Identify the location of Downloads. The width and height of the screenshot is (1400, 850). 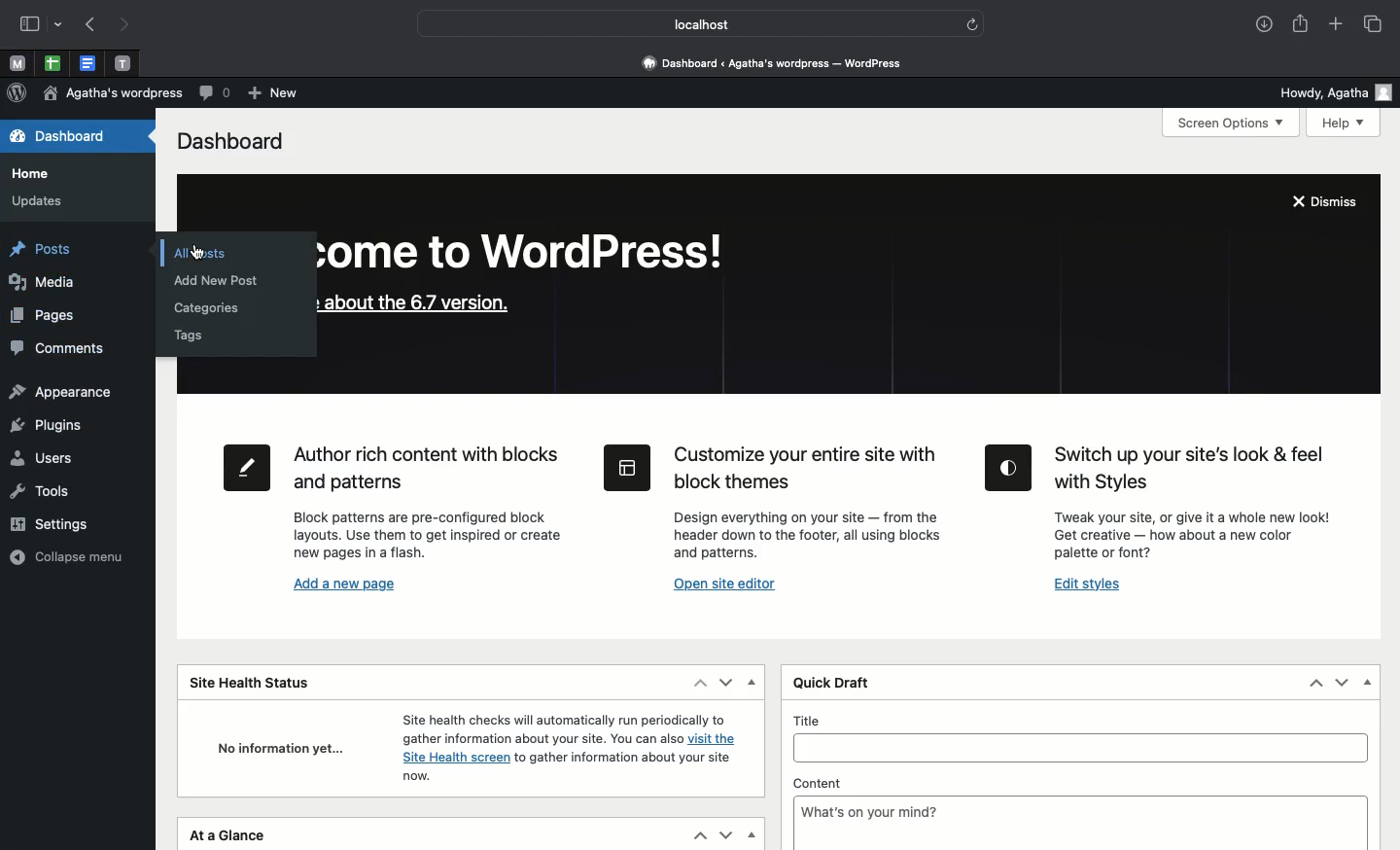
(1261, 25).